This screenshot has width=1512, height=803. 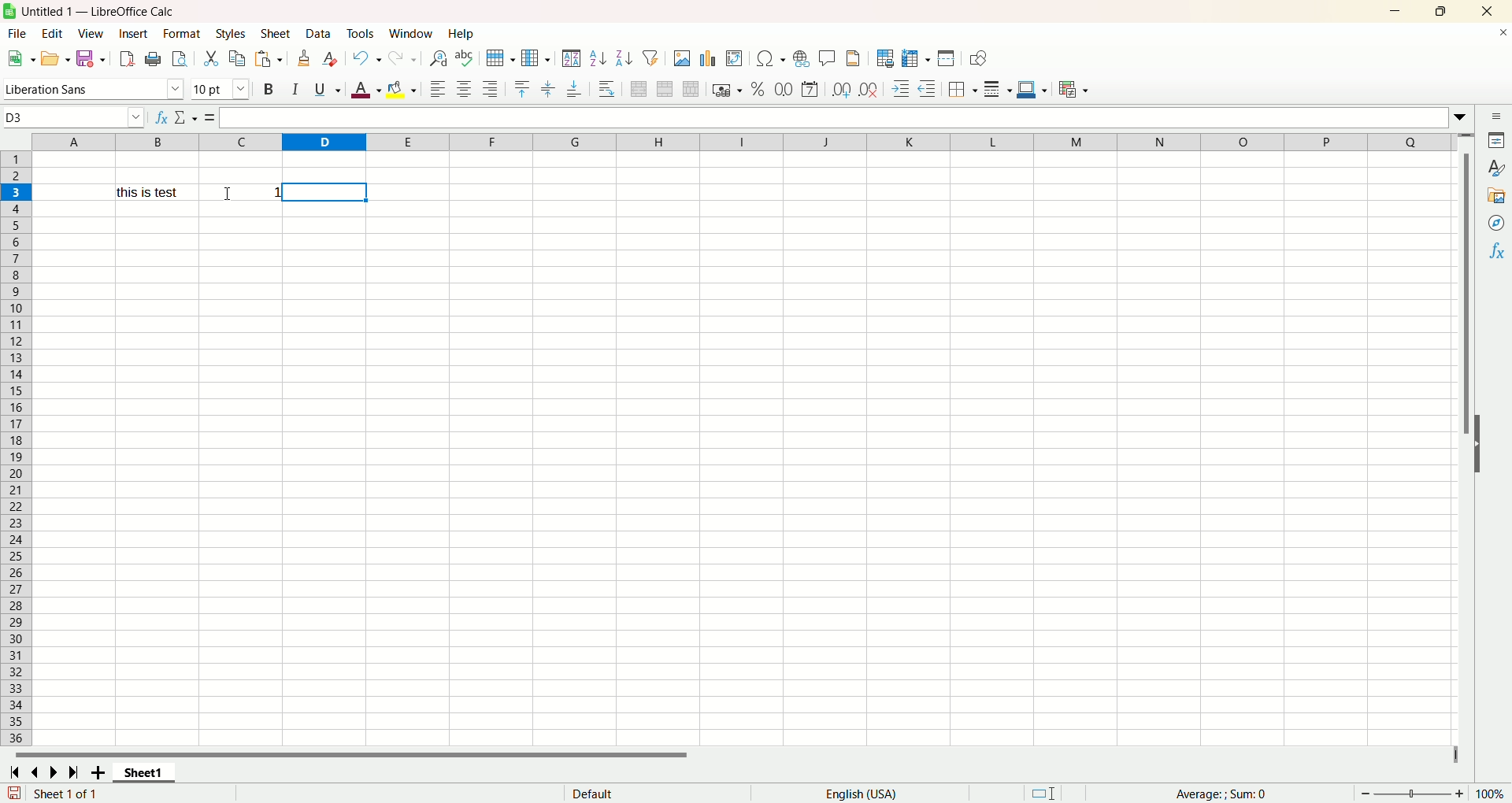 What do you see at coordinates (945, 58) in the screenshot?
I see `split window` at bounding box center [945, 58].